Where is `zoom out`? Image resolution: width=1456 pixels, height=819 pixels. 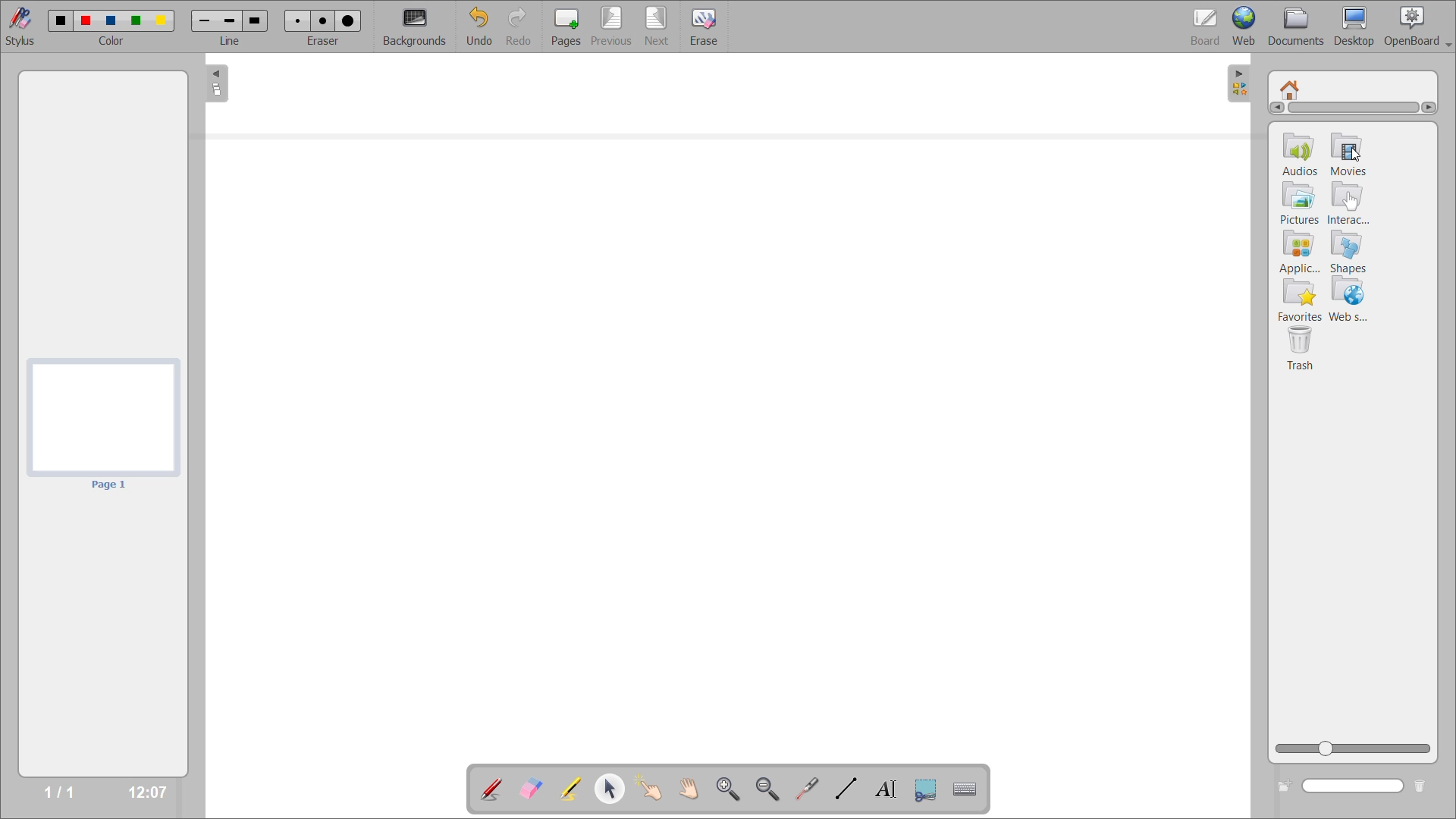
zoom out is located at coordinates (769, 789).